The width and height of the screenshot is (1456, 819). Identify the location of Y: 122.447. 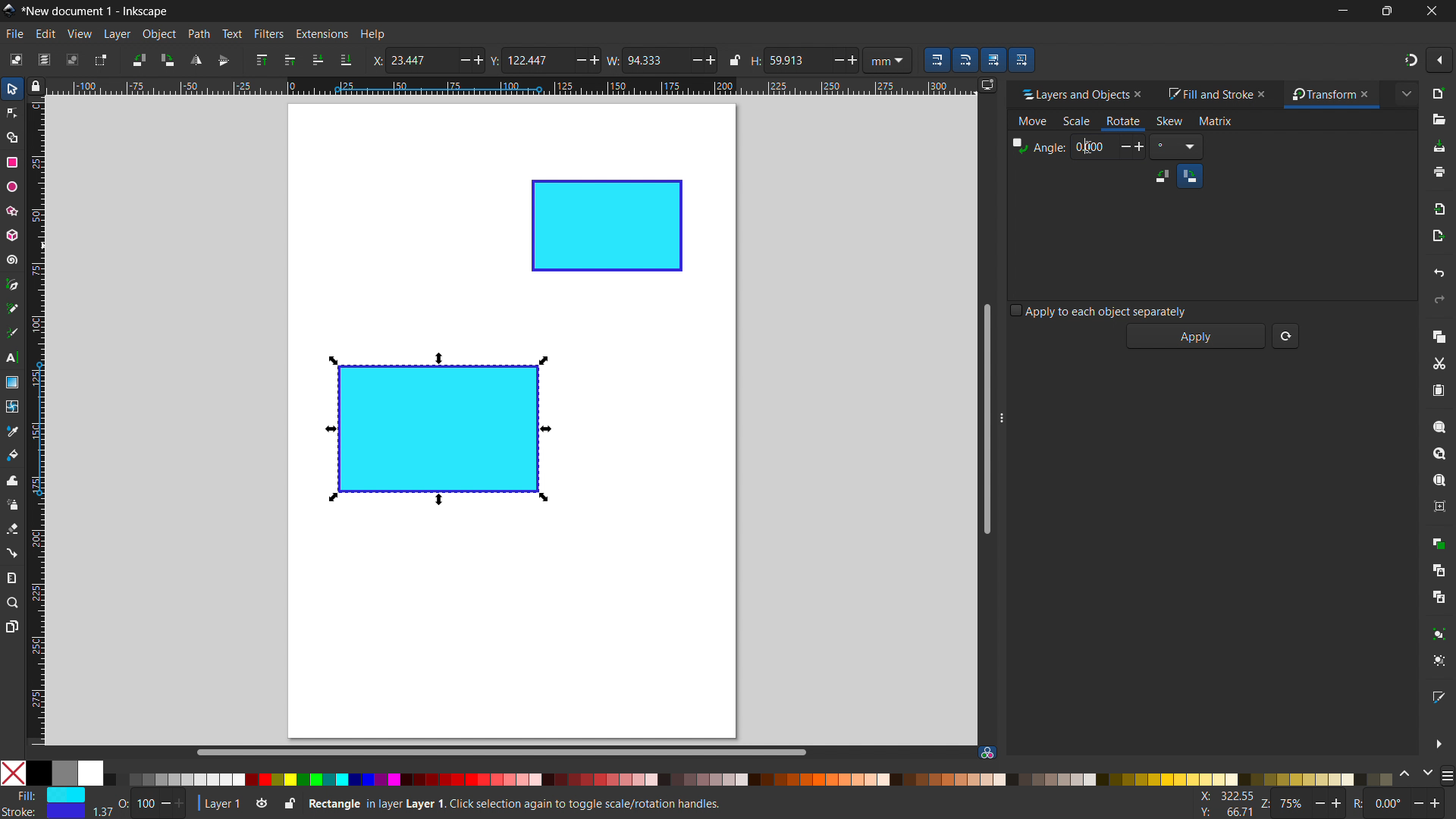
(526, 60).